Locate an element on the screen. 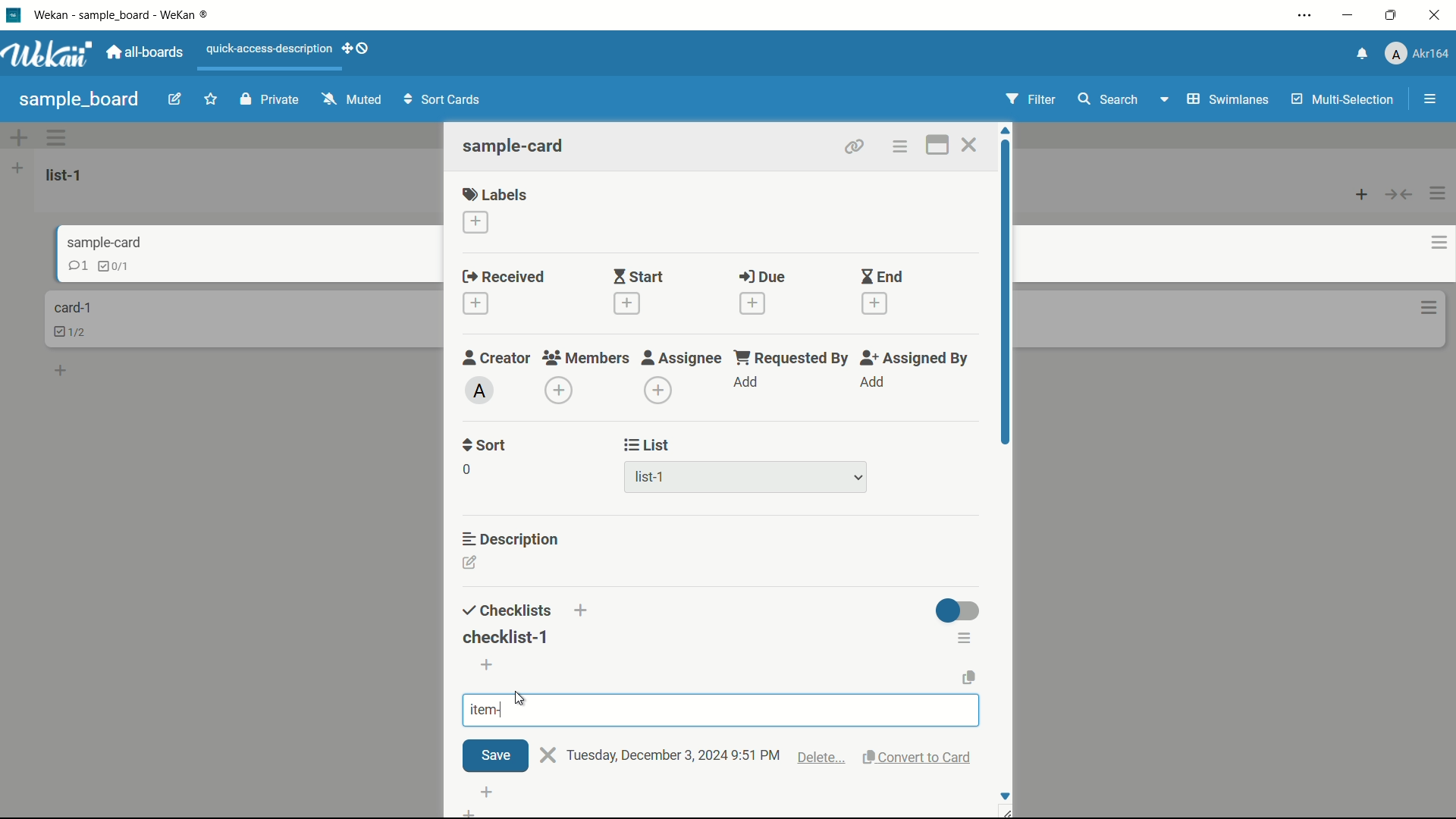  board name is located at coordinates (79, 101).